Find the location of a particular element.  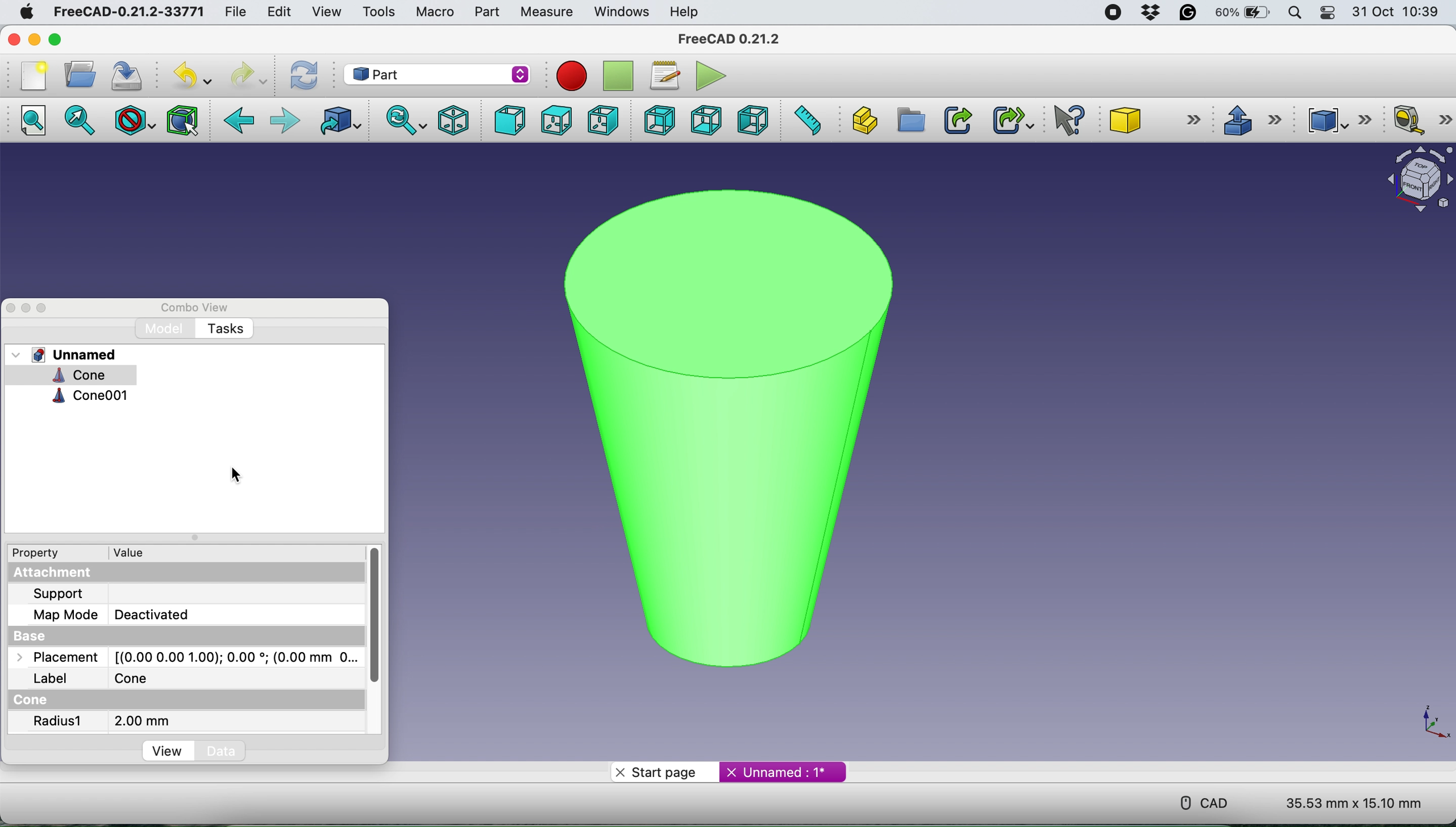

screen recorder is located at coordinates (1109, 12).